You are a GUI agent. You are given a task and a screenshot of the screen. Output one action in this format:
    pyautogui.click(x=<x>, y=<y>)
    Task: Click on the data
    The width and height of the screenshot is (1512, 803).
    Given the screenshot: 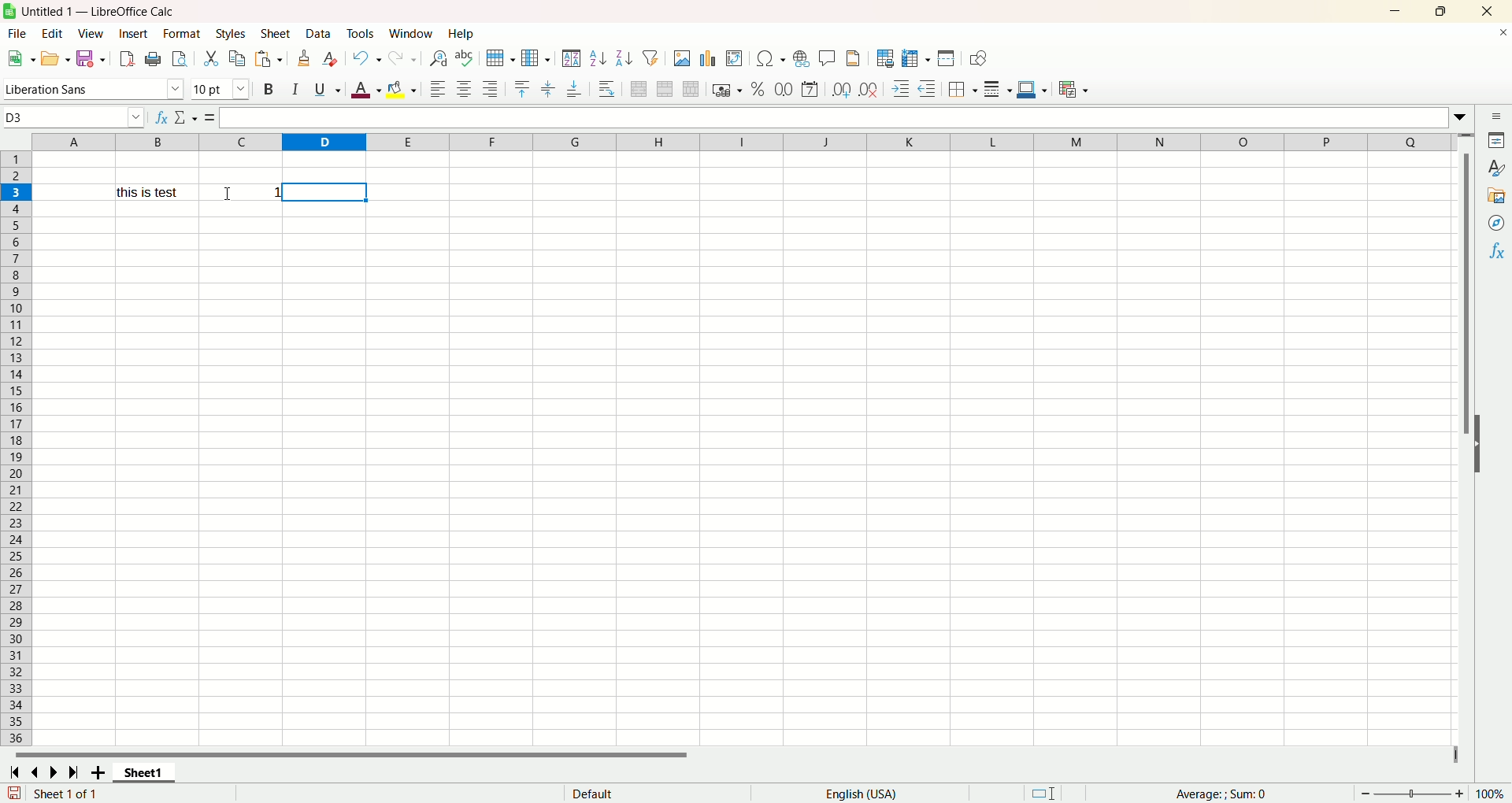 What is the action you would take?
    pyautogui.click(x=320, y=33)
    